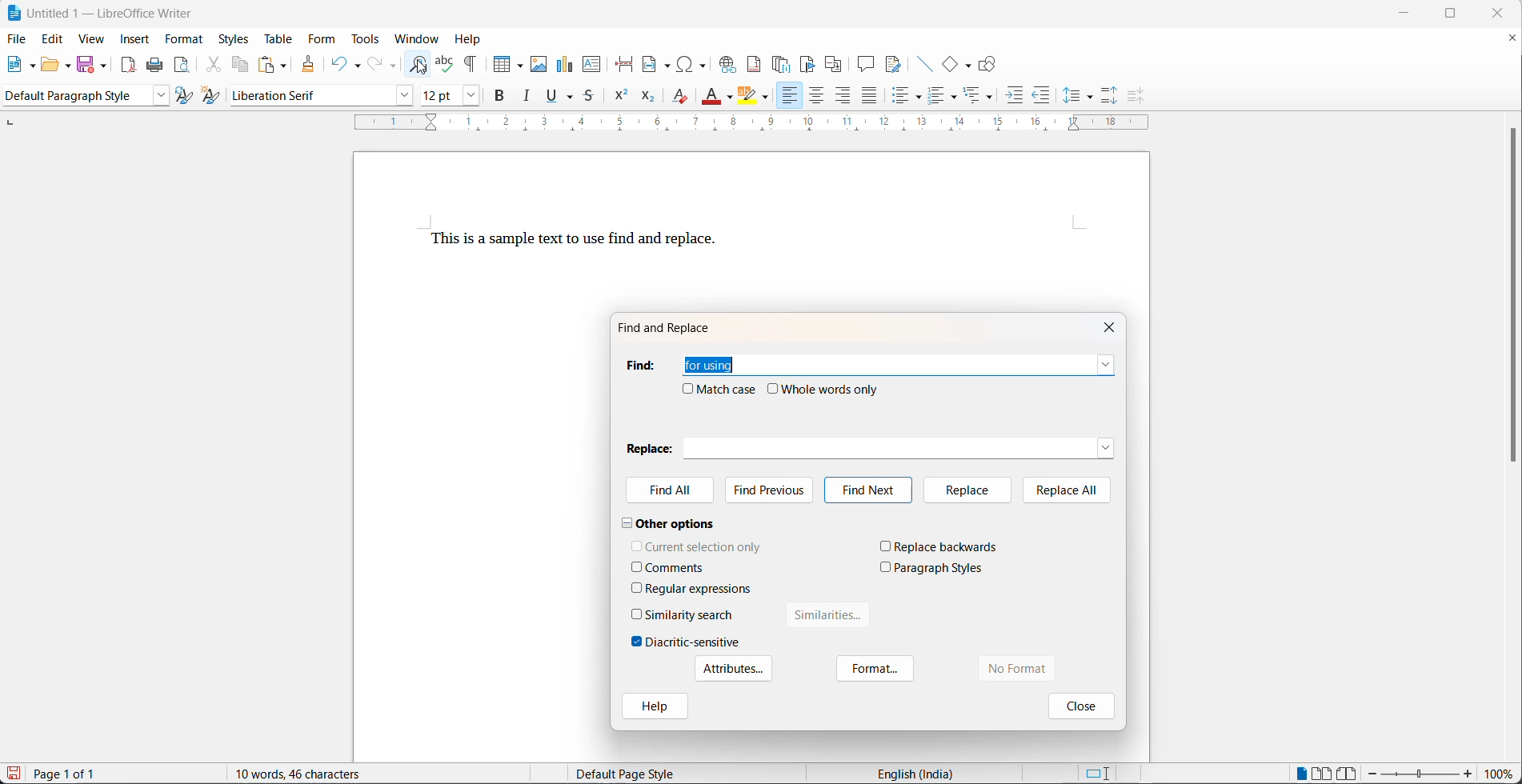 The image size is (1522, 784). Describe the element at coordinates (267, 64) in the screenshot. I see `paste` at that location.